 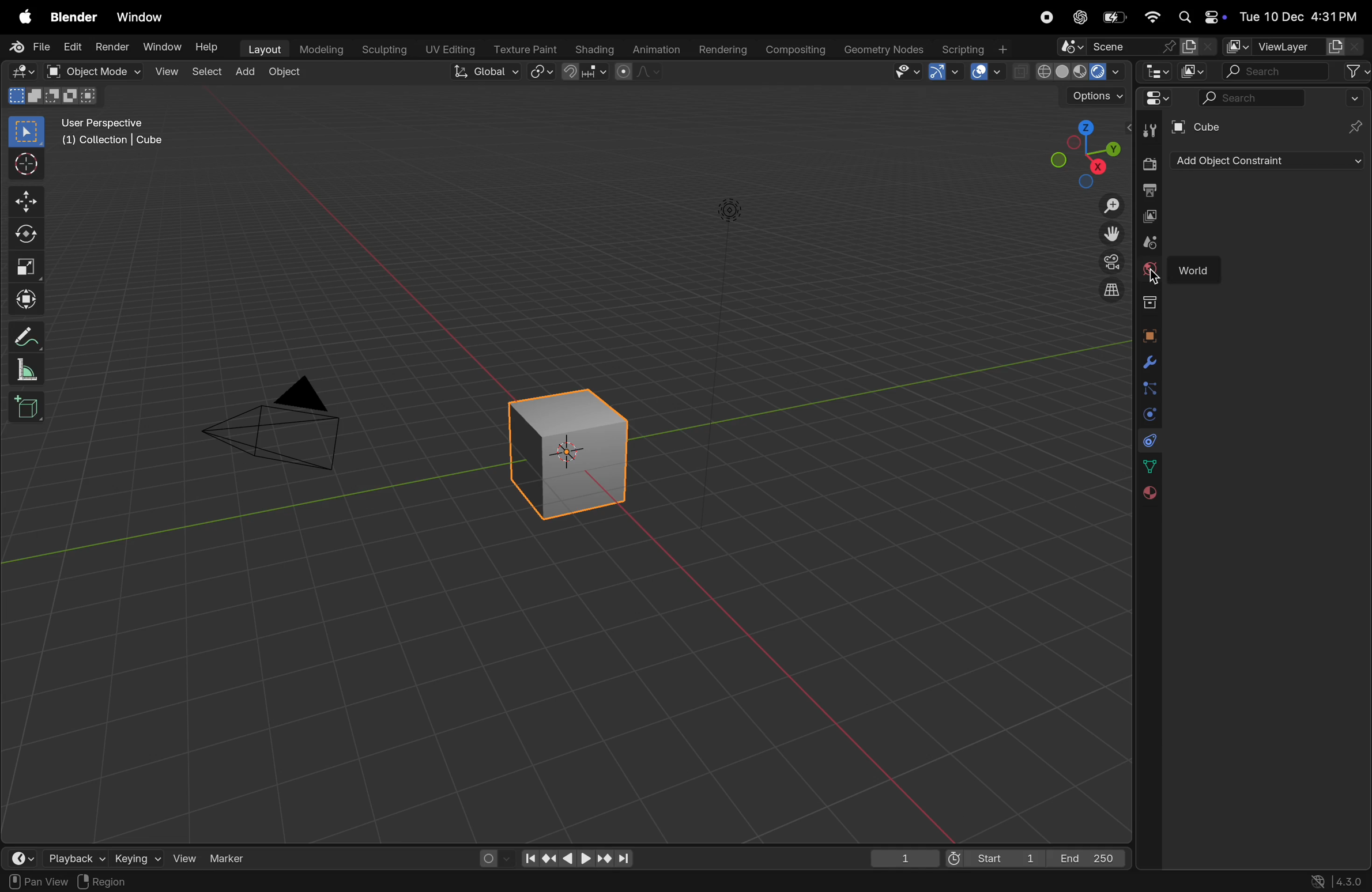 What do you see at coordinates (1148, 216) in the screenshot?
I see `out put` at bounding box center [1148, 216].